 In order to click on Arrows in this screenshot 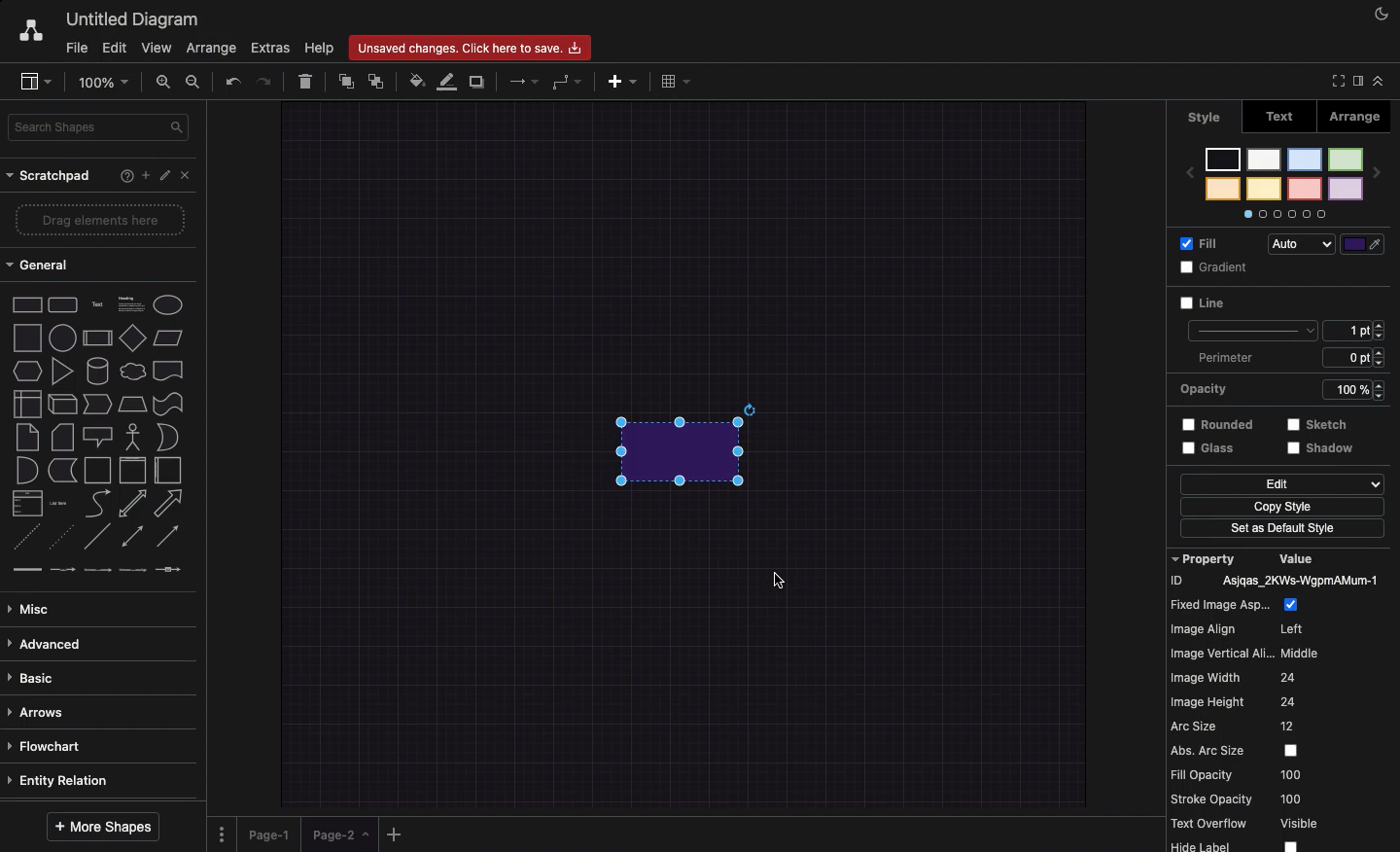, I will do `click(41, 710)`.